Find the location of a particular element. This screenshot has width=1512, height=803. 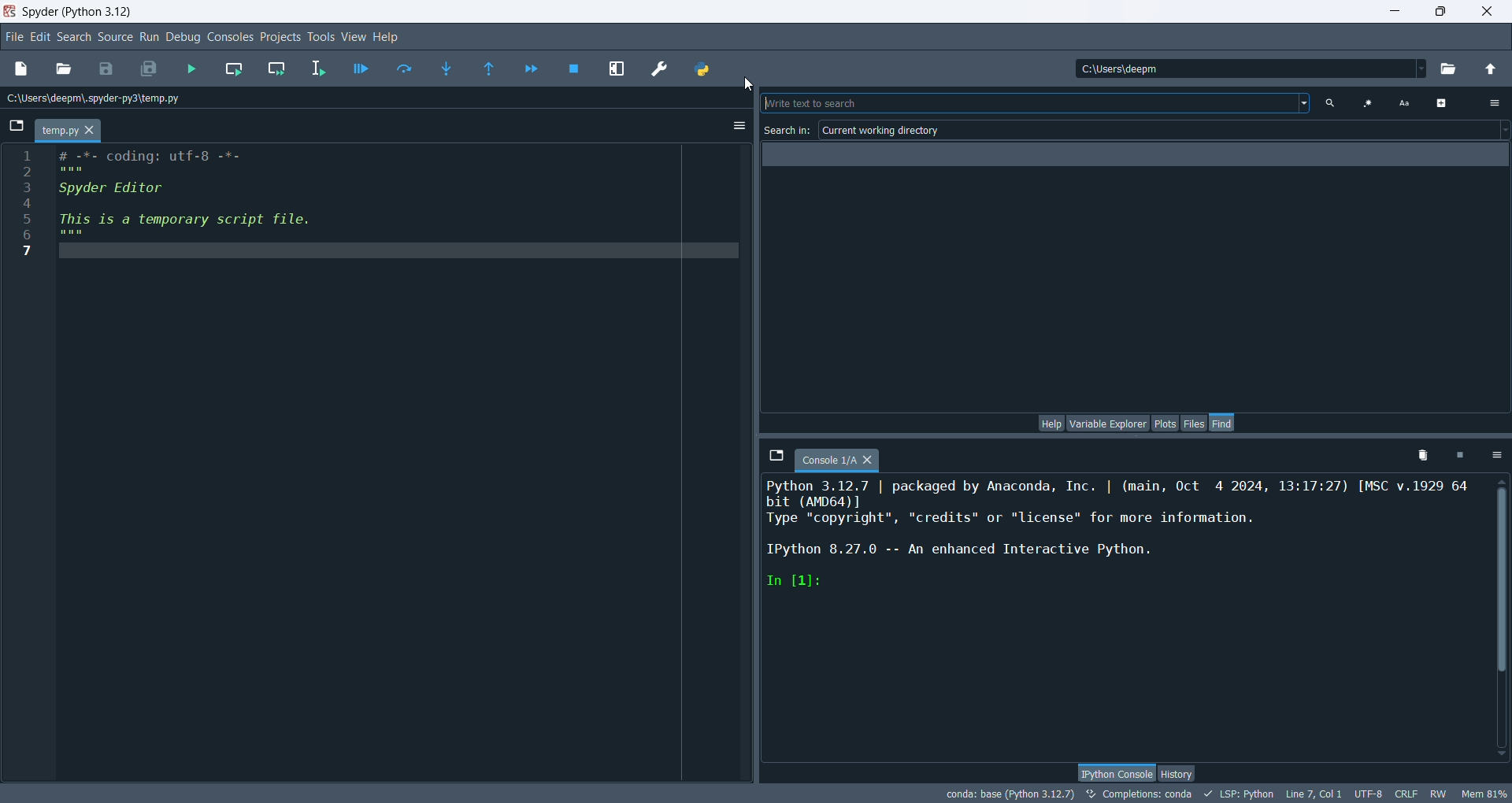

python console is located at coordinates (1114, 772).